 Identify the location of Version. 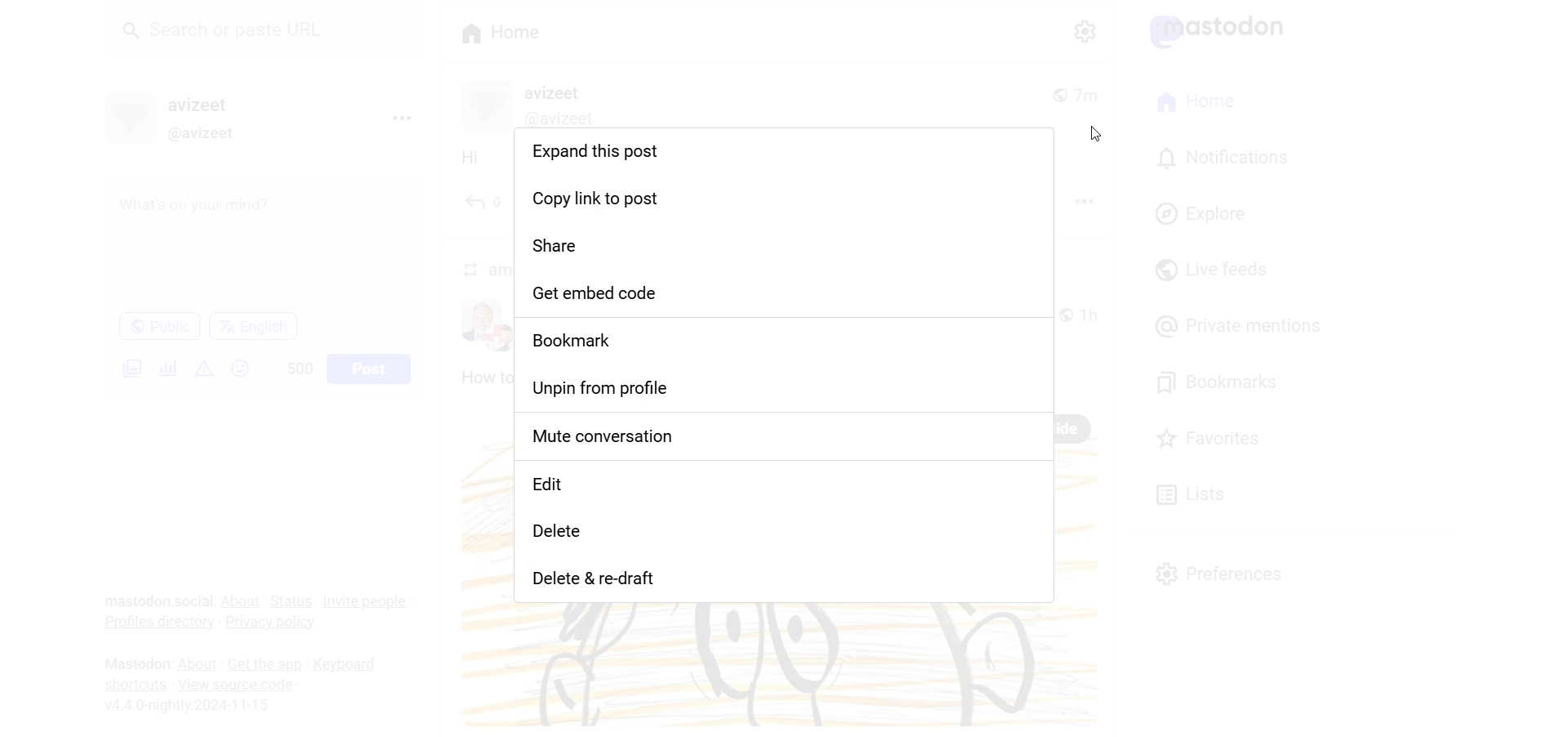
(193, 707).